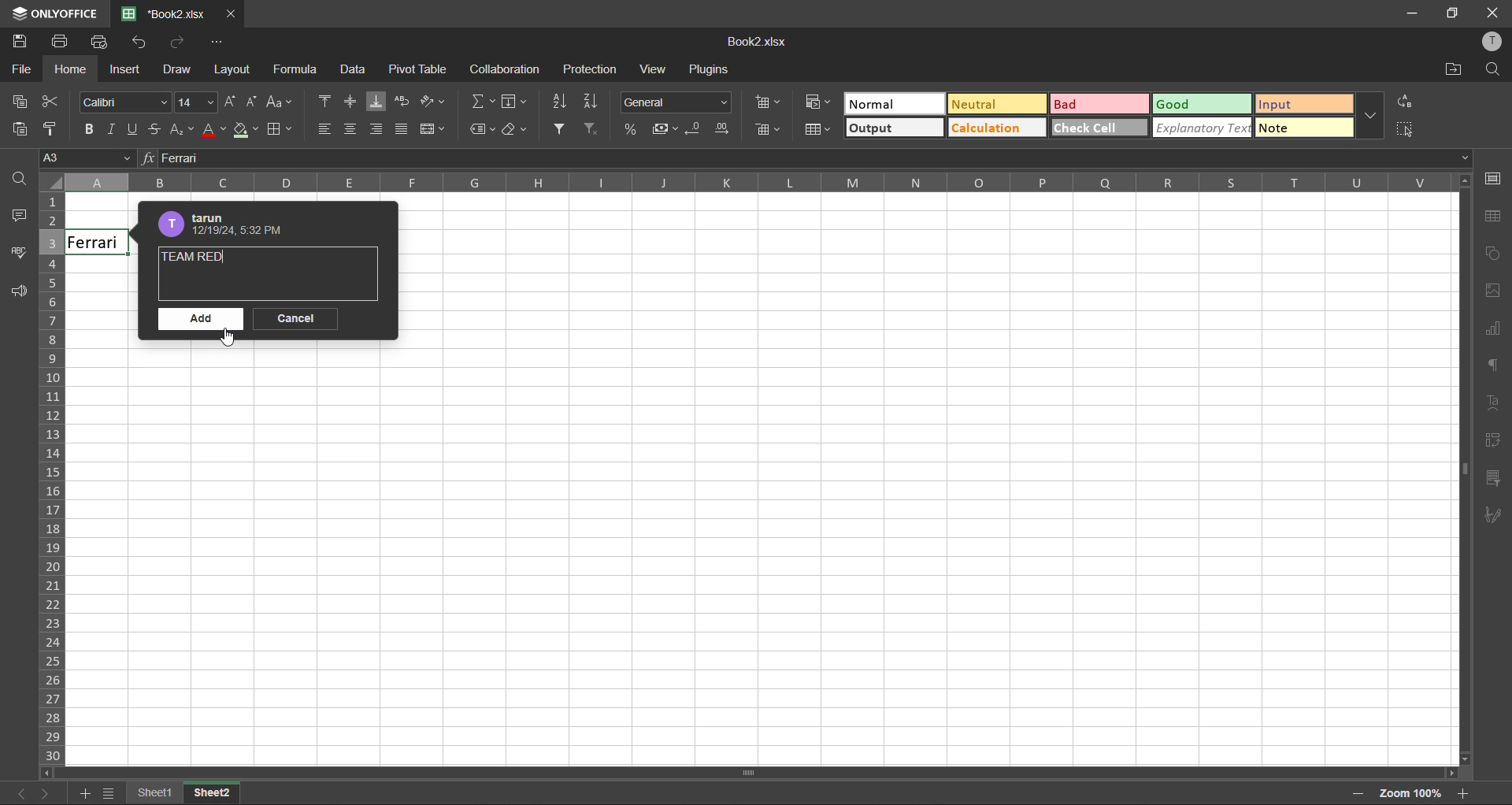 The width and height of the screenshot is (1512, 805). I want to click on comment input box, so click(269, 287).